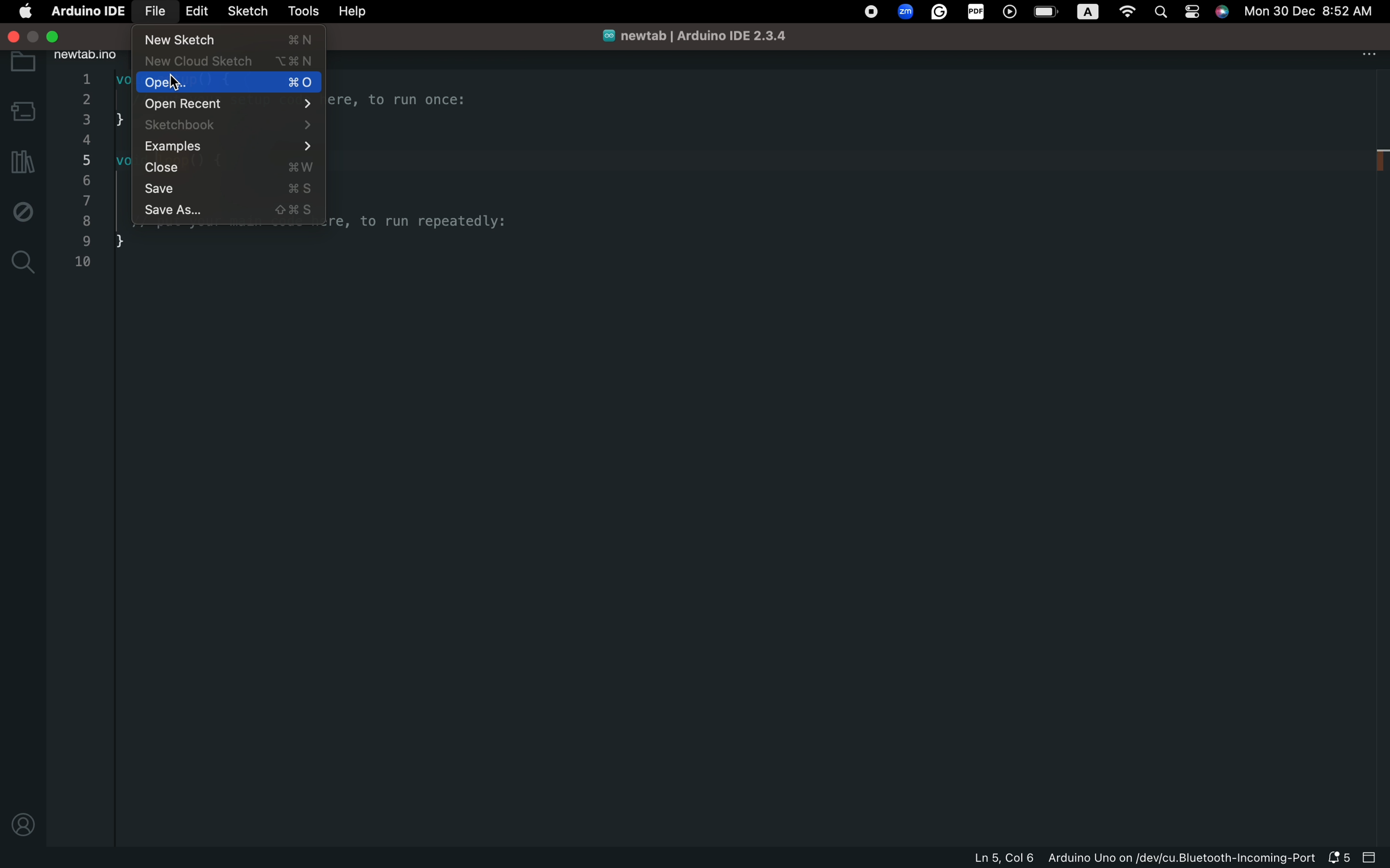  I want to click on sketchbook, so click(230, 126).